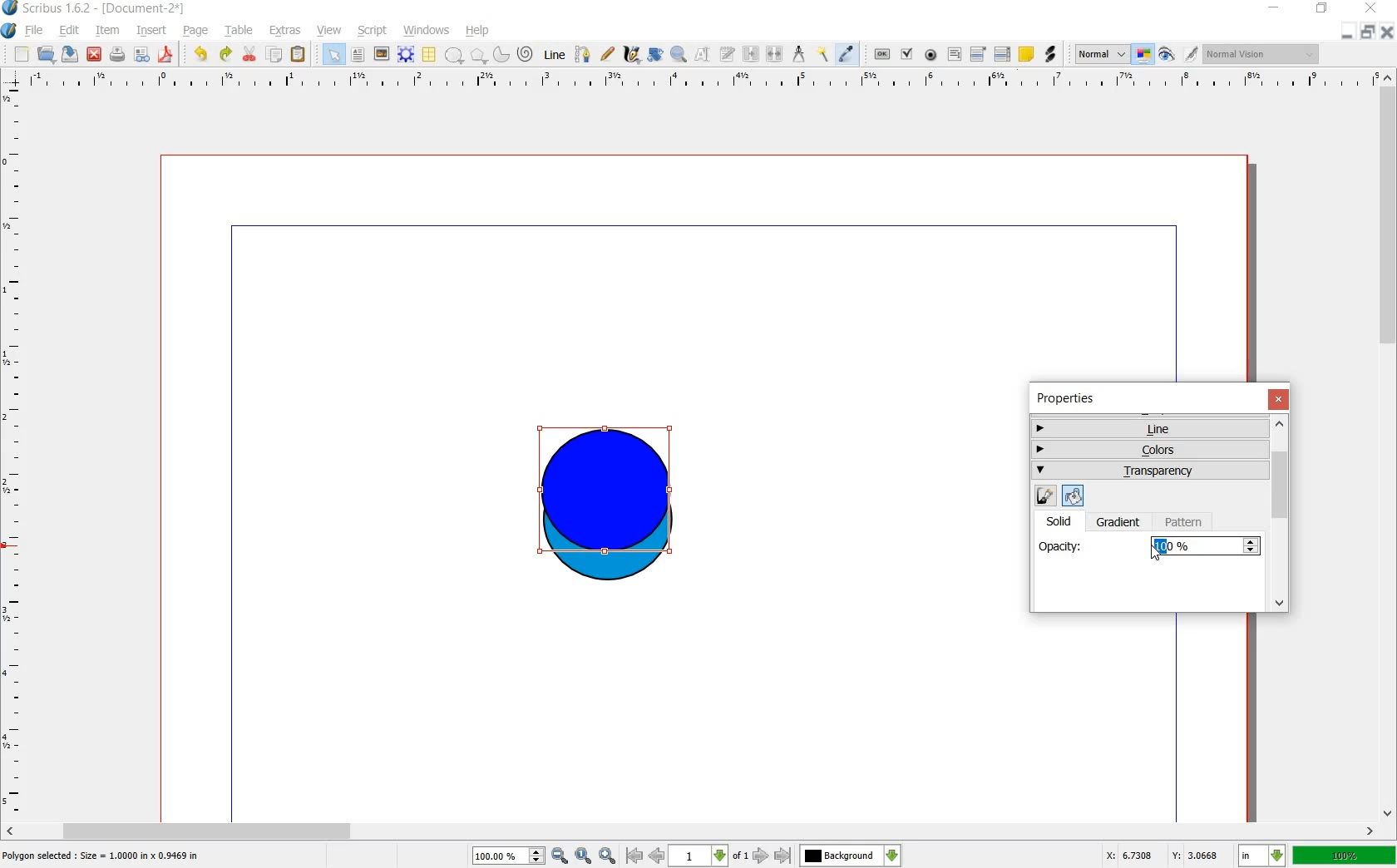 Image resolution: width=1397 pixels, height=868 pixels. Describe the element at coordinates (328, 31) in the screenshot. I see `view` at that location.